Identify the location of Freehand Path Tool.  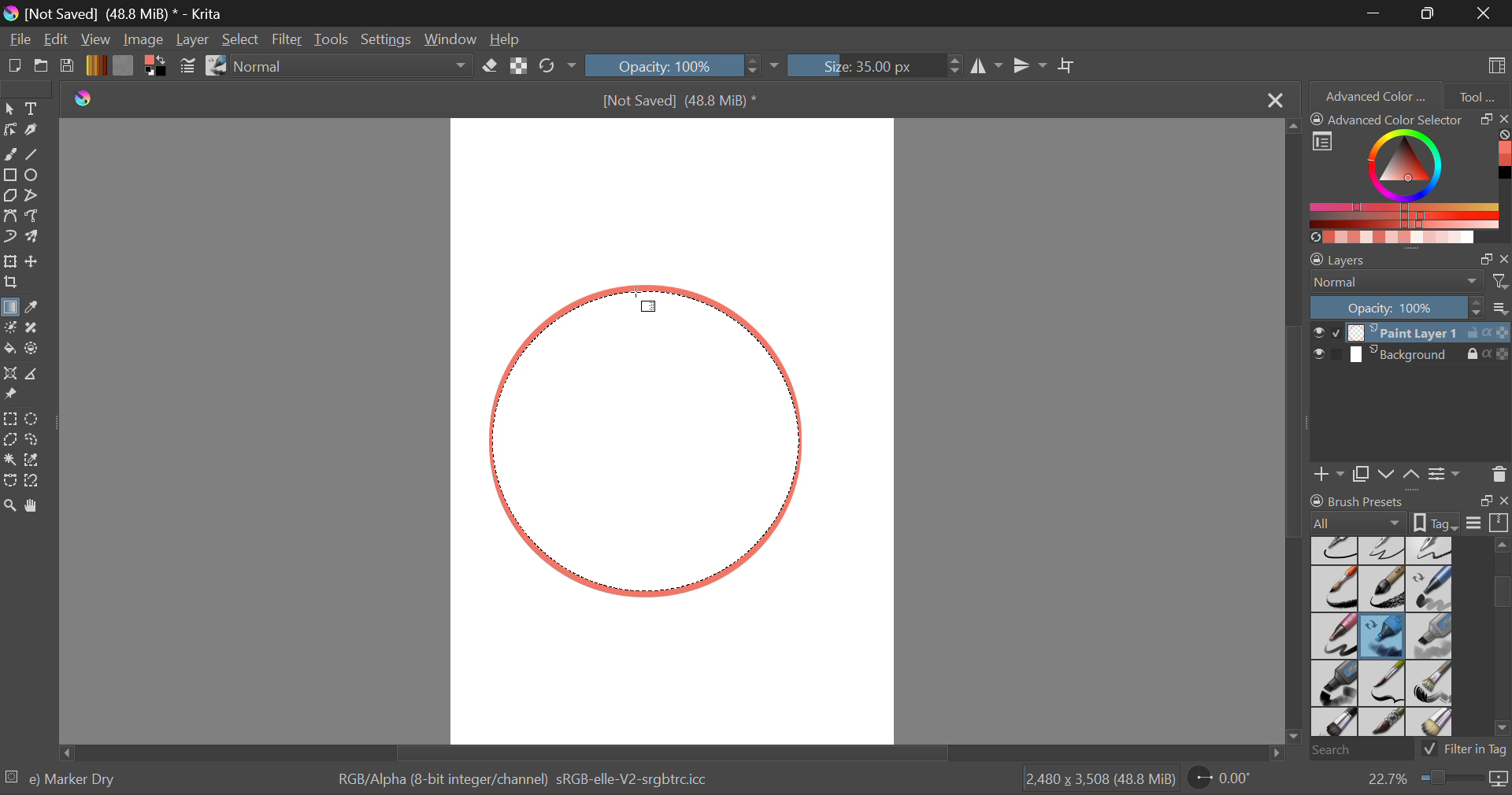
(32, 215).